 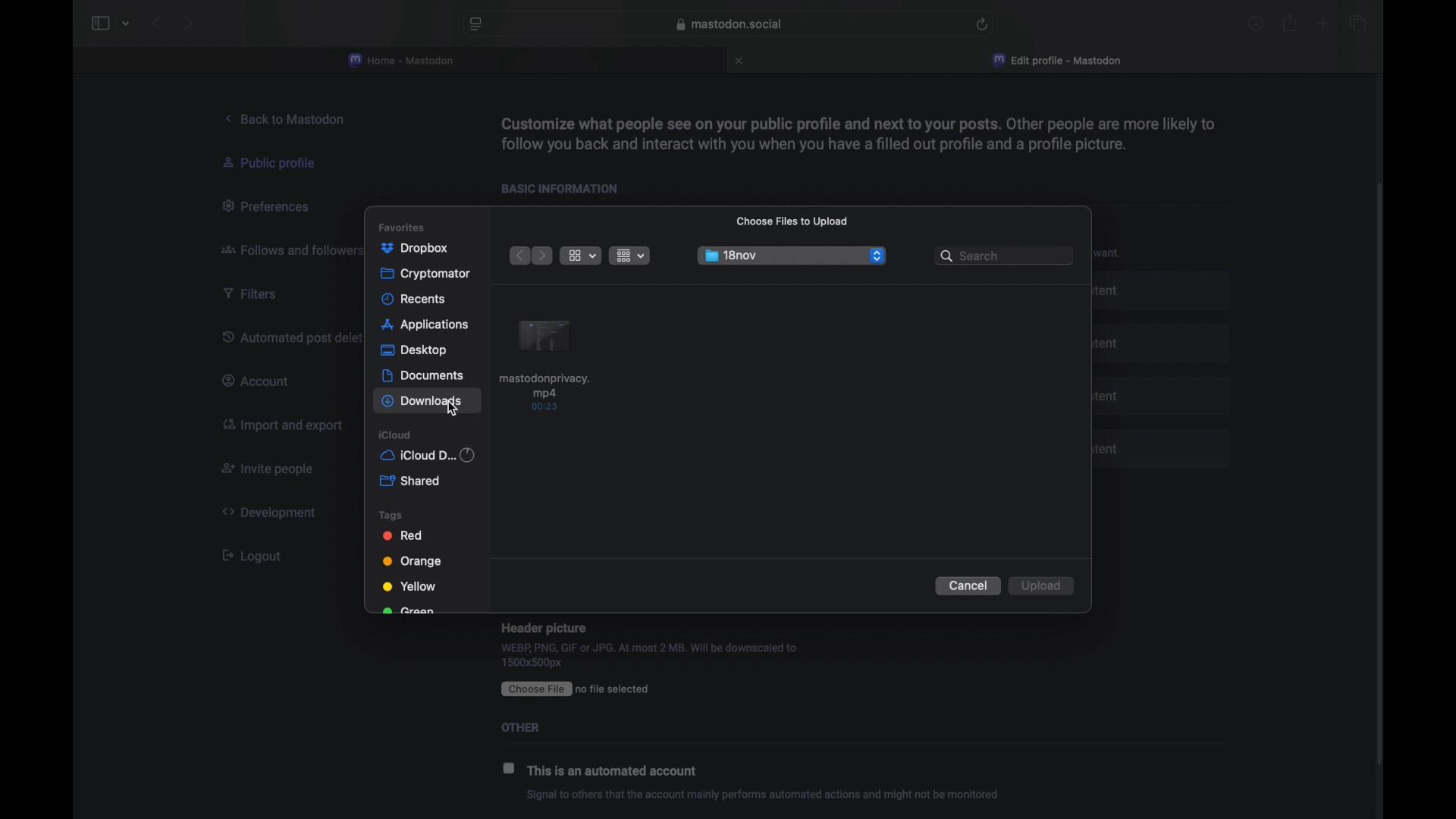 What do you see at coordinates (268, 470) in the screenshot?
I see `invite people` at bounding box center [268, 470].